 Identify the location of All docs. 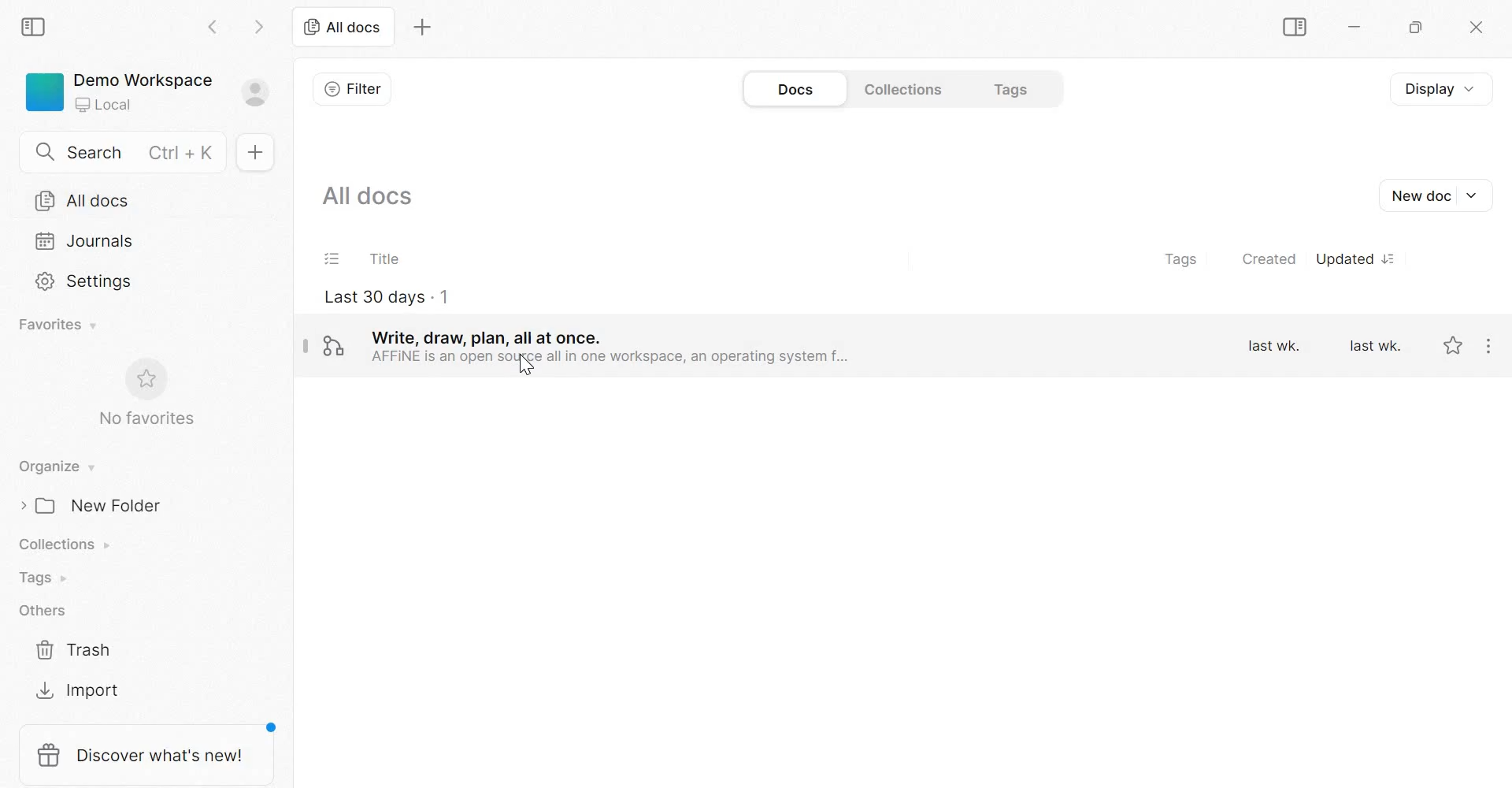
(367, 195).